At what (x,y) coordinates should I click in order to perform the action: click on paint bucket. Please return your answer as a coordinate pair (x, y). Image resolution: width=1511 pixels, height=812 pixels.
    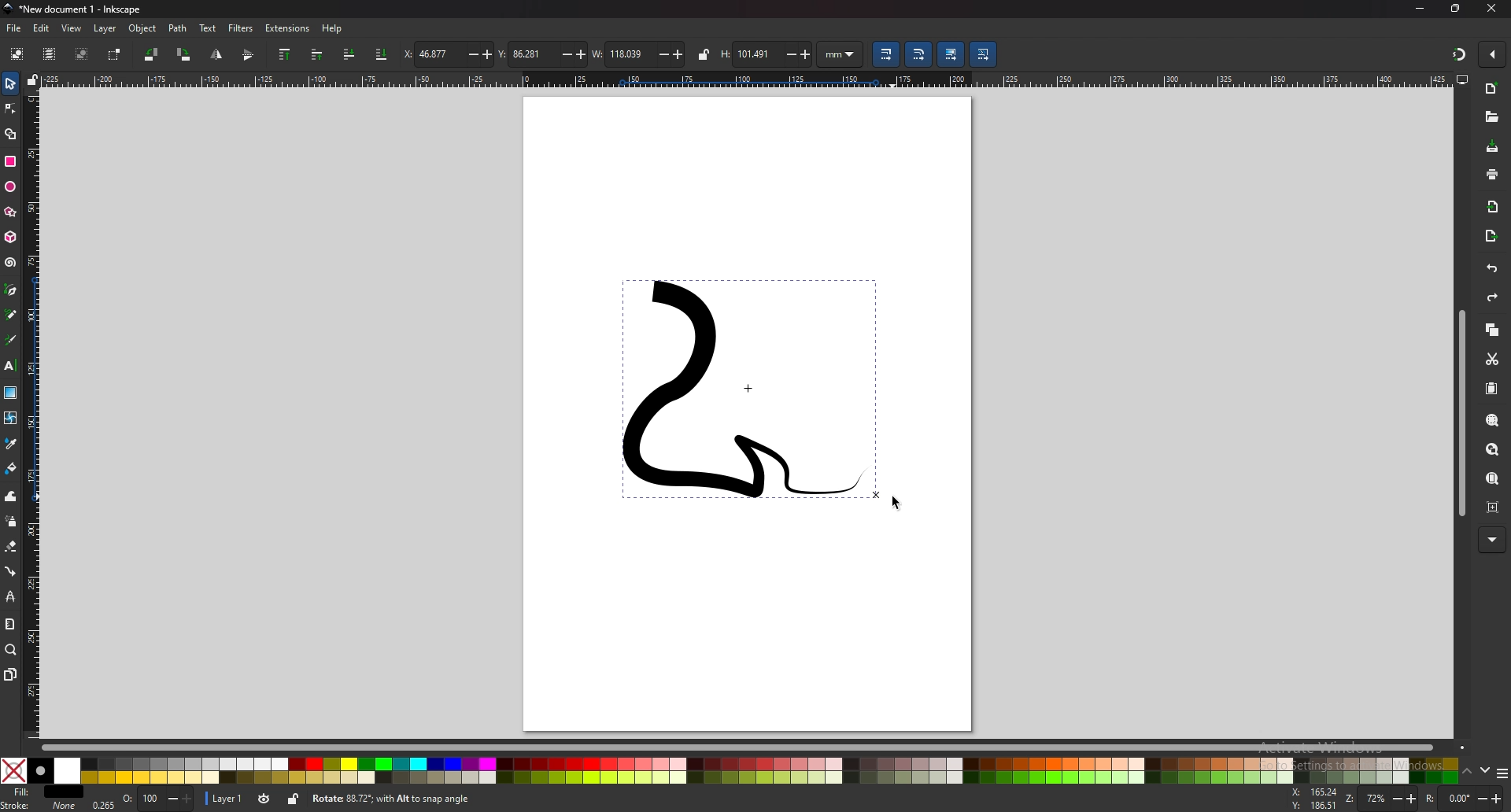
    Looking at the image, I should click on (11, 467).